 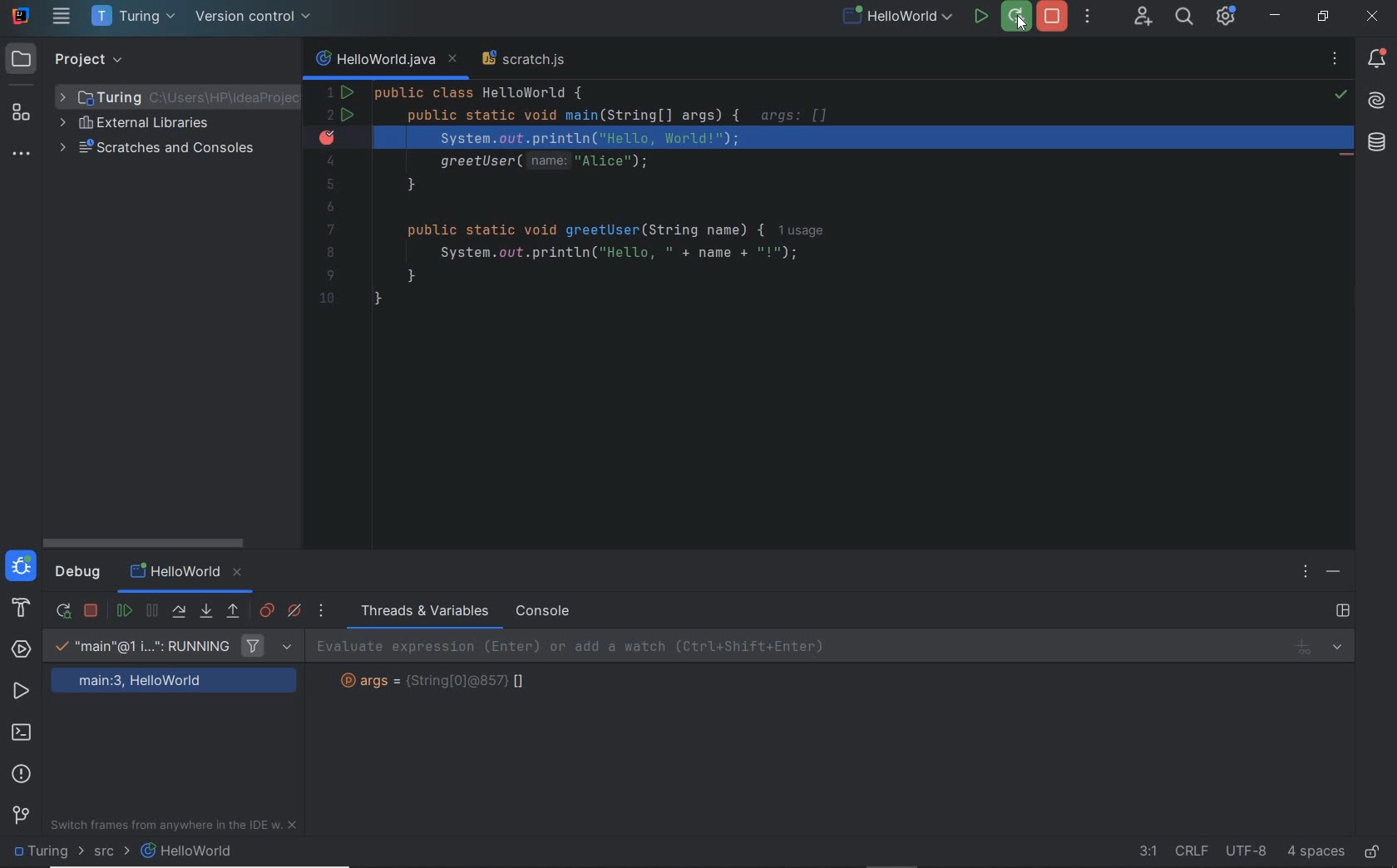 I want to click on stop, so click(x=1054, y=18).